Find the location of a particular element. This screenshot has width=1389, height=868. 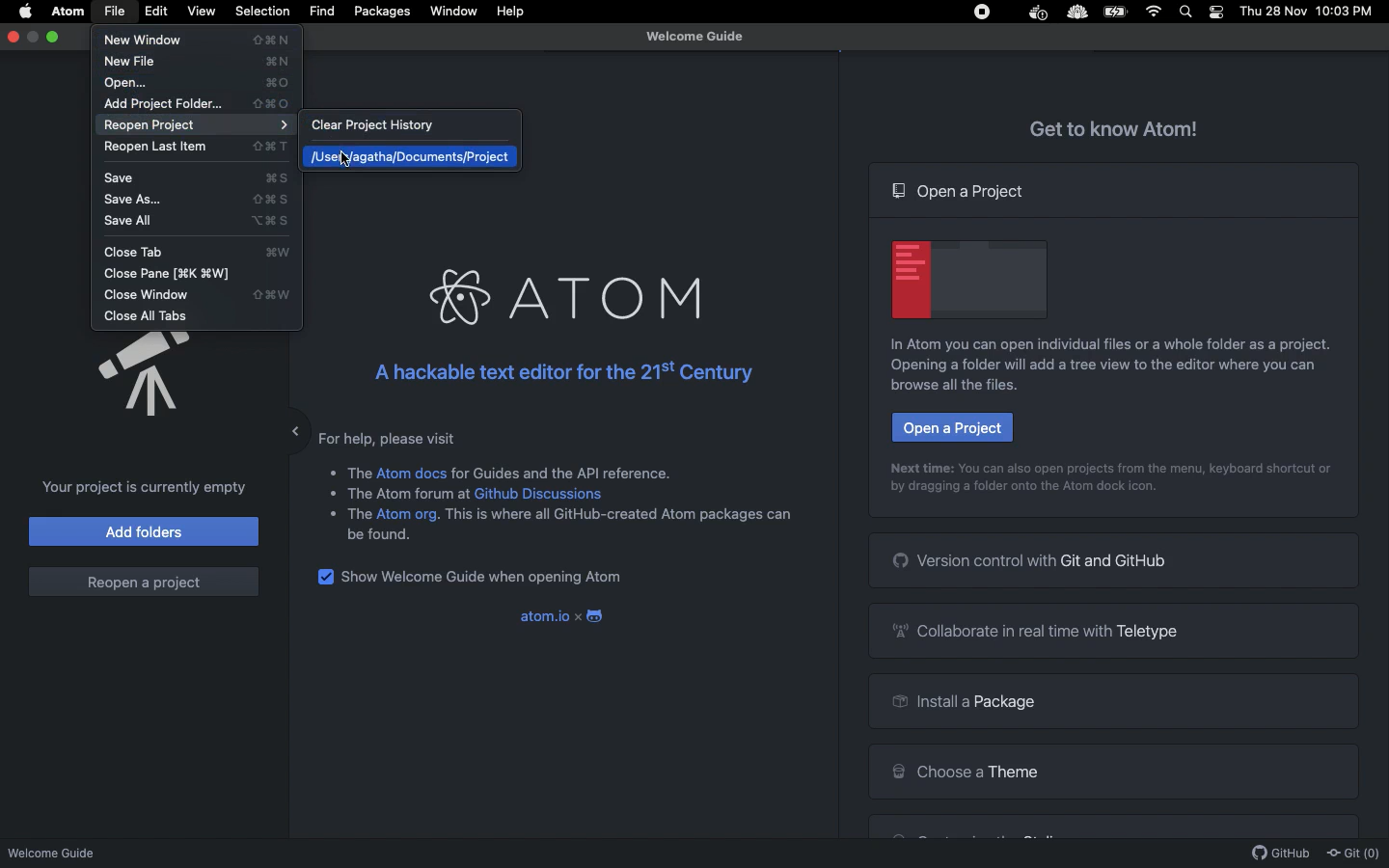

text is located at coordinates (619, 520).